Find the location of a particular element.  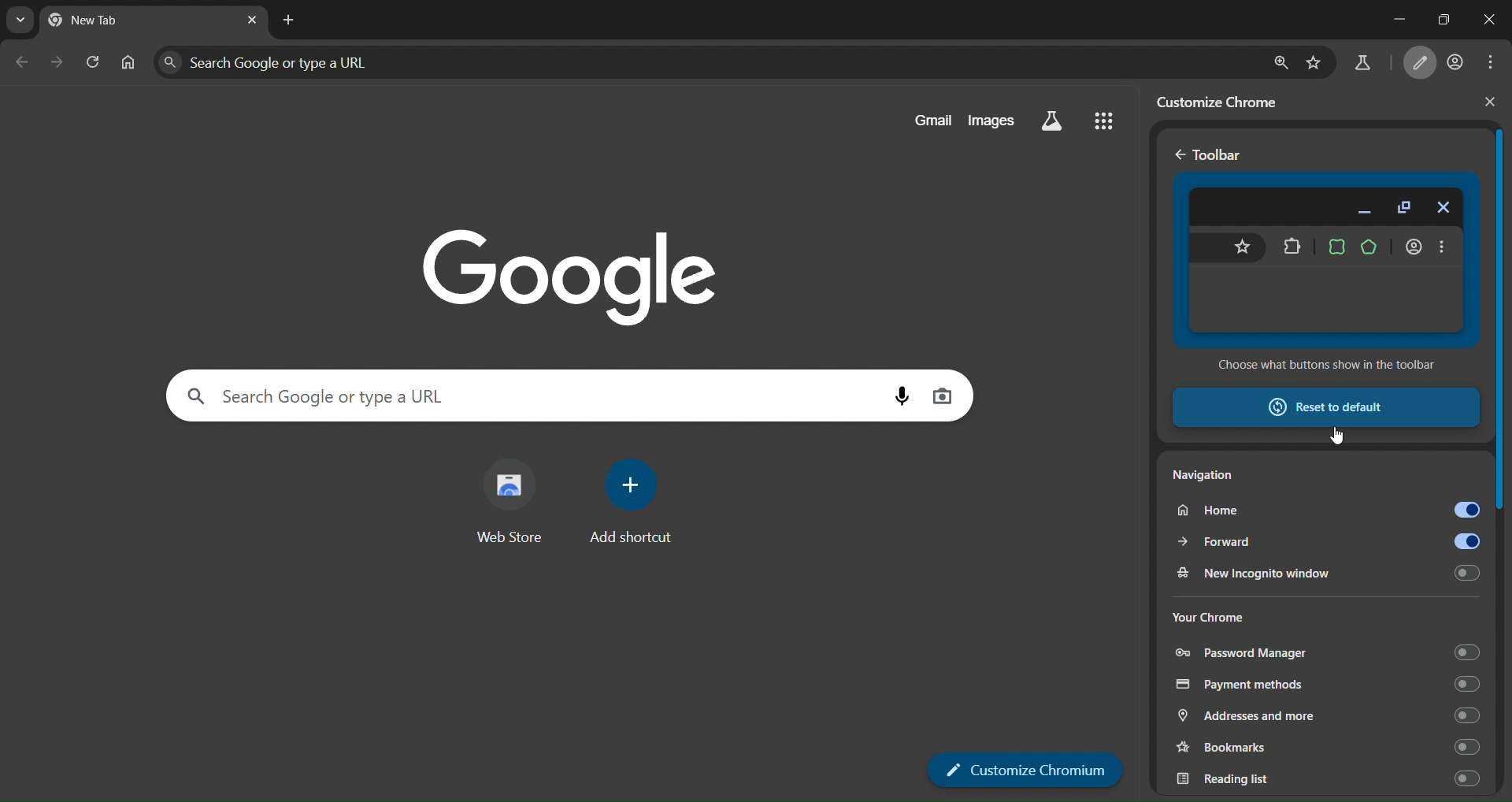

bookmarks is located at coordinates (1327, 748).